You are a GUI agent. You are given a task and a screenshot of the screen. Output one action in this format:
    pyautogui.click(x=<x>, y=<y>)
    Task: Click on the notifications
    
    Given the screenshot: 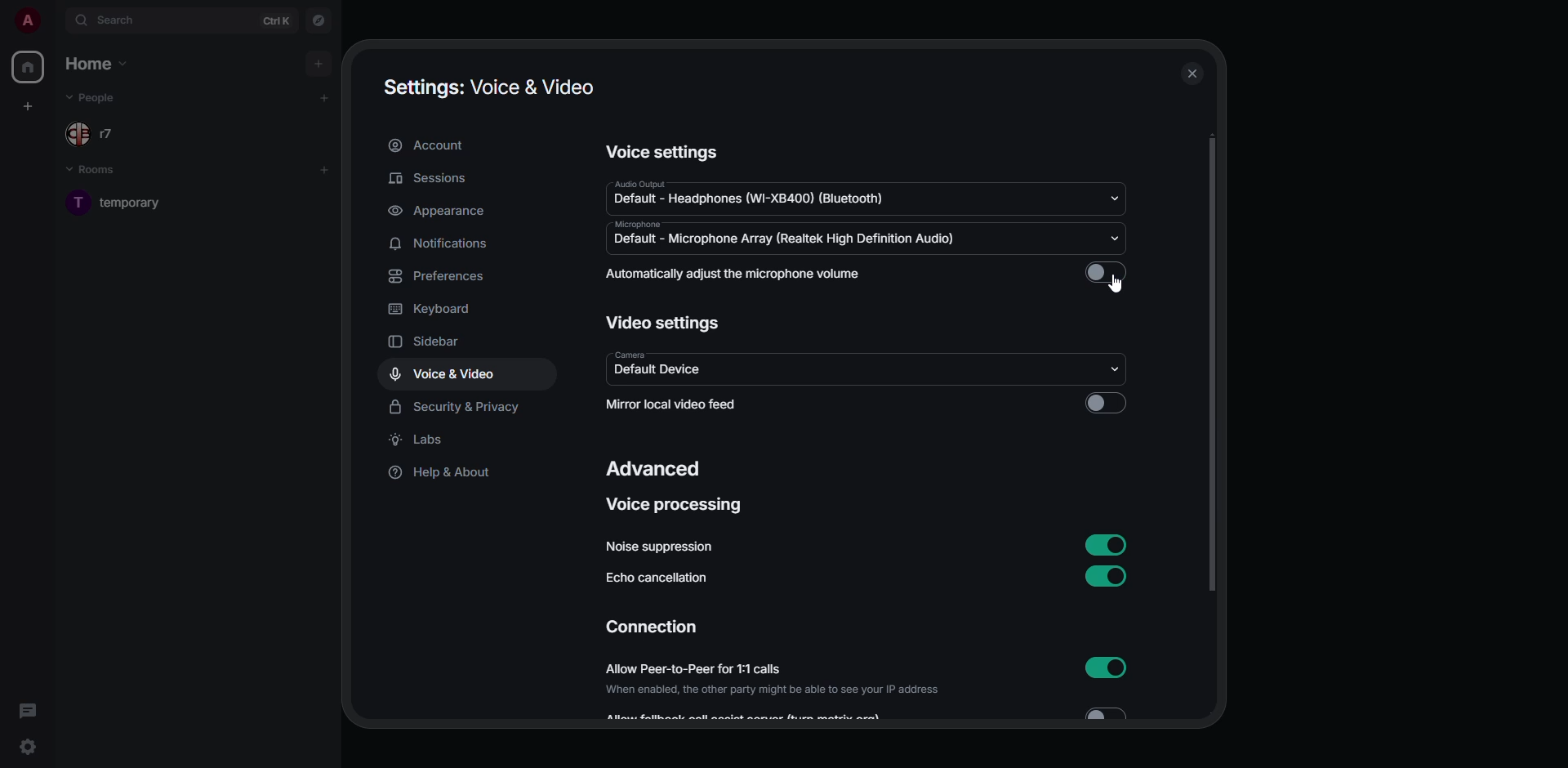 What is the action you would take?
    pyautogui.click(x=448, y=244)
    